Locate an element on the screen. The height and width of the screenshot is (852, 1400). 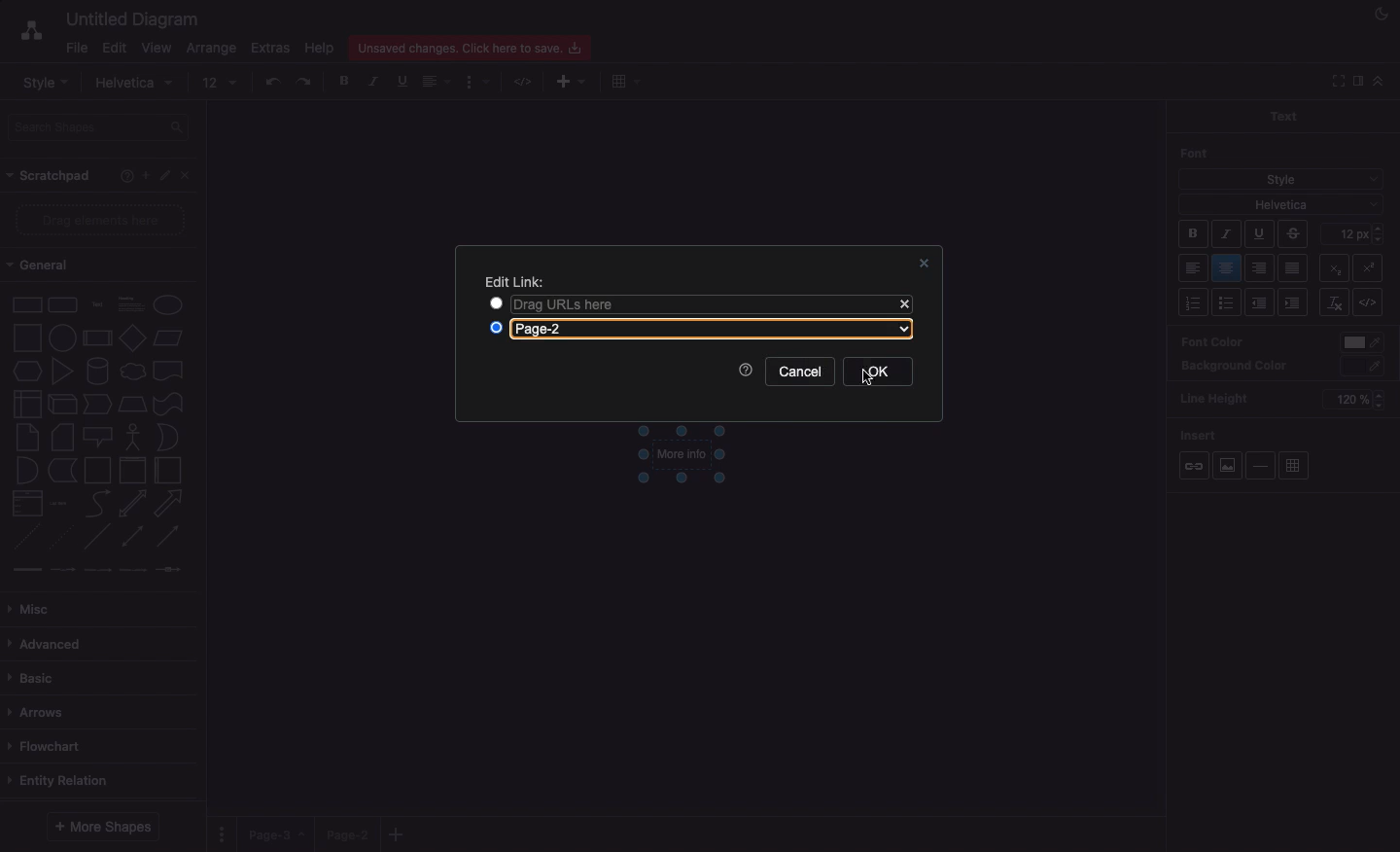
120% is located at coordinates (1351, 401).